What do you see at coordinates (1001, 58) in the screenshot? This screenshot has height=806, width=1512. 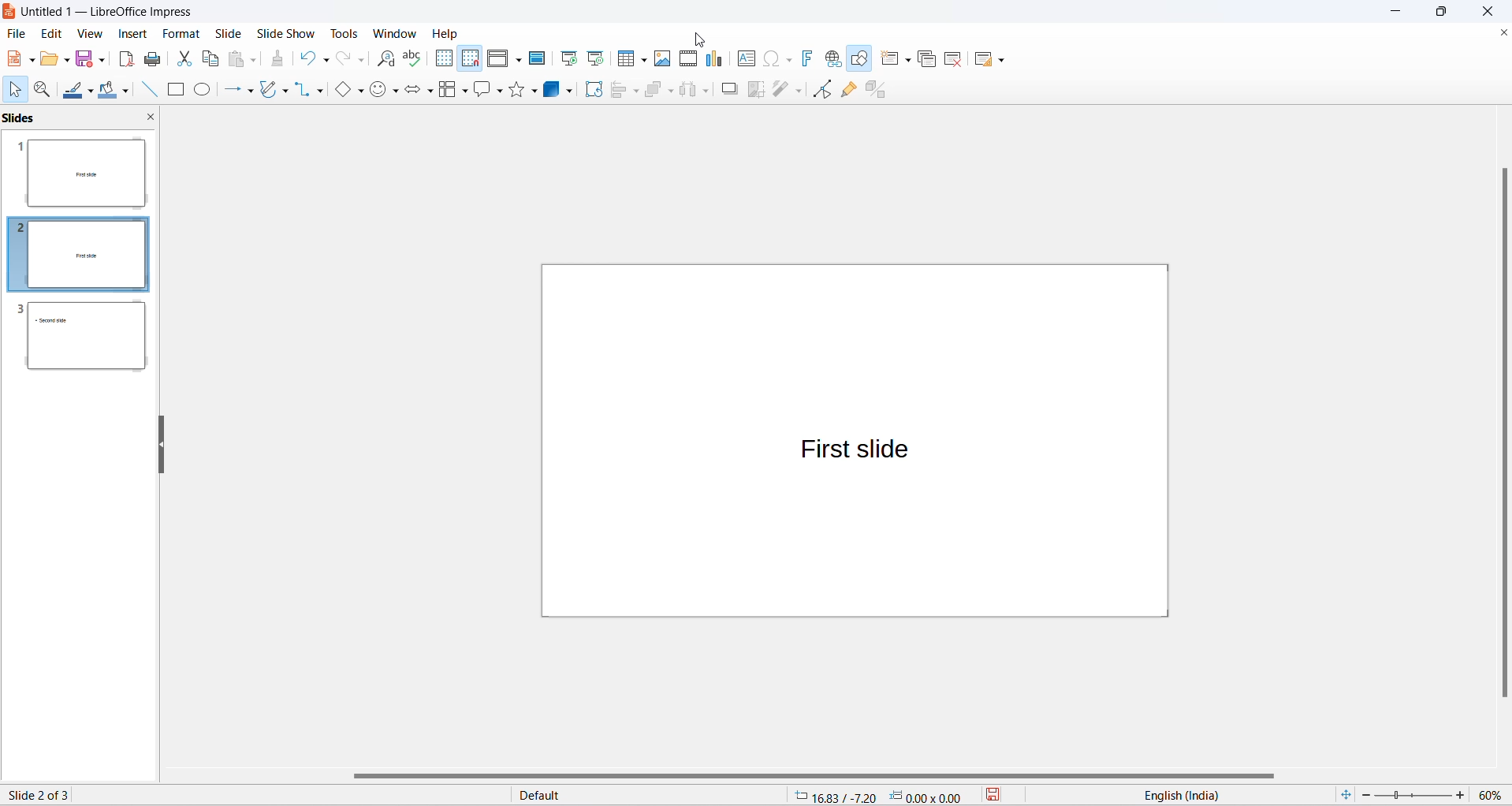 I see `slide layout options` at bounding box center [1001, 58].